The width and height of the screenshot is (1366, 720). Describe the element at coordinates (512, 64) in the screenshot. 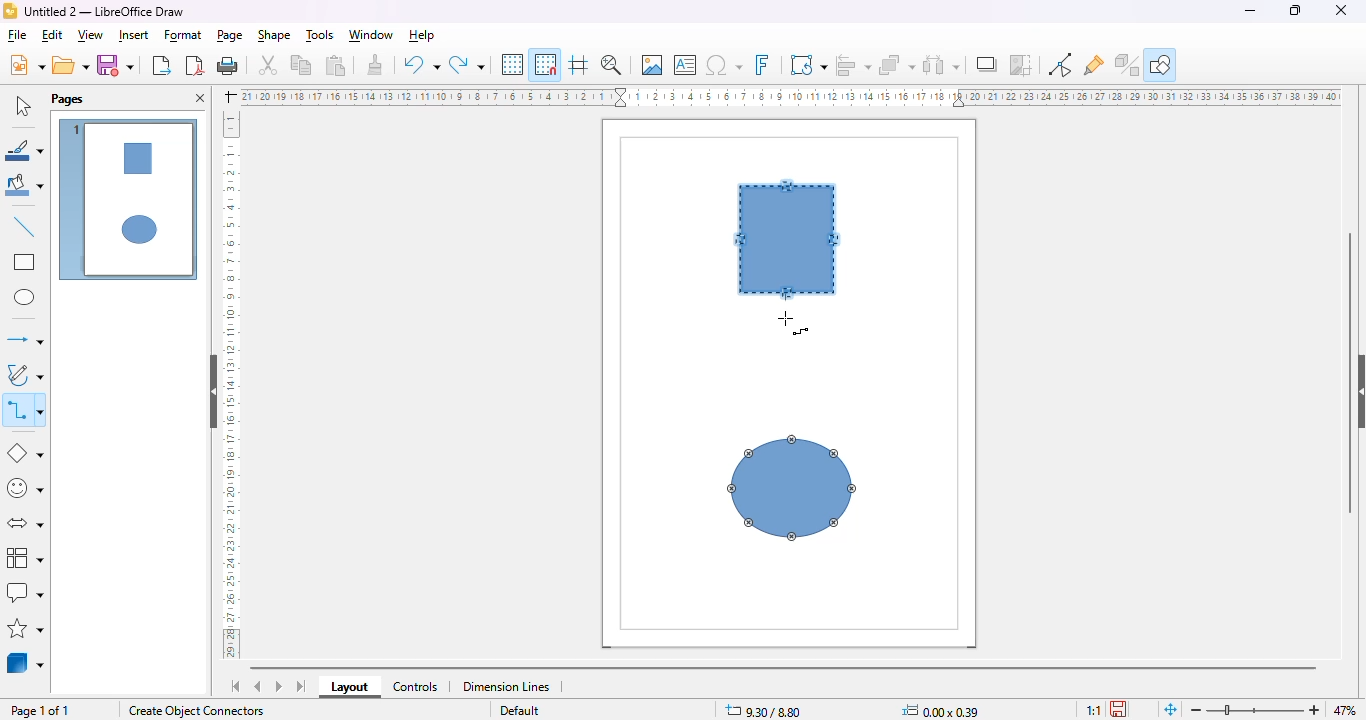

I see `display grid` at that location.